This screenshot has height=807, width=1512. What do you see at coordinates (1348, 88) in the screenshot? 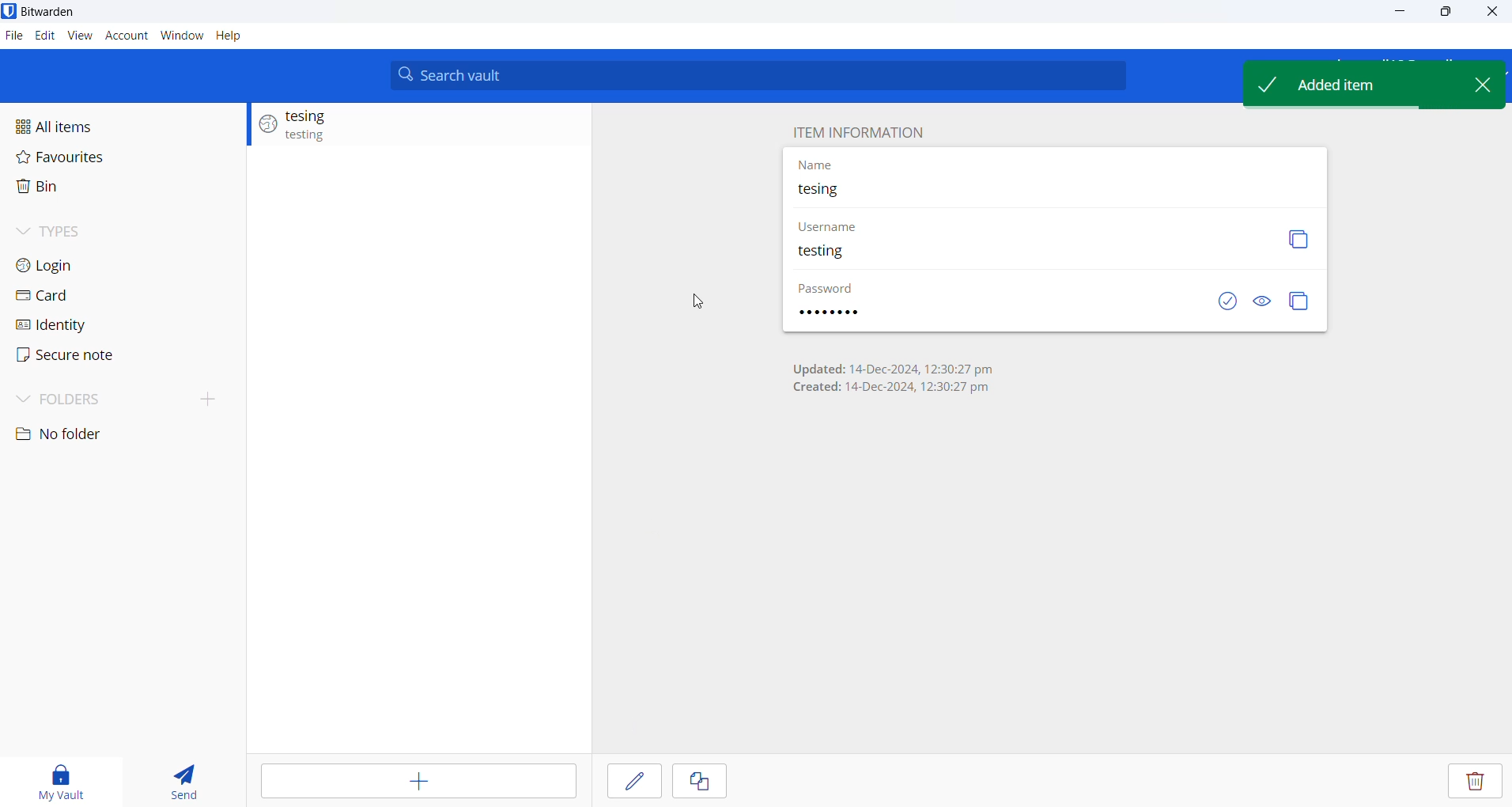
I see `Added item` at bounding box center [1348, 88].